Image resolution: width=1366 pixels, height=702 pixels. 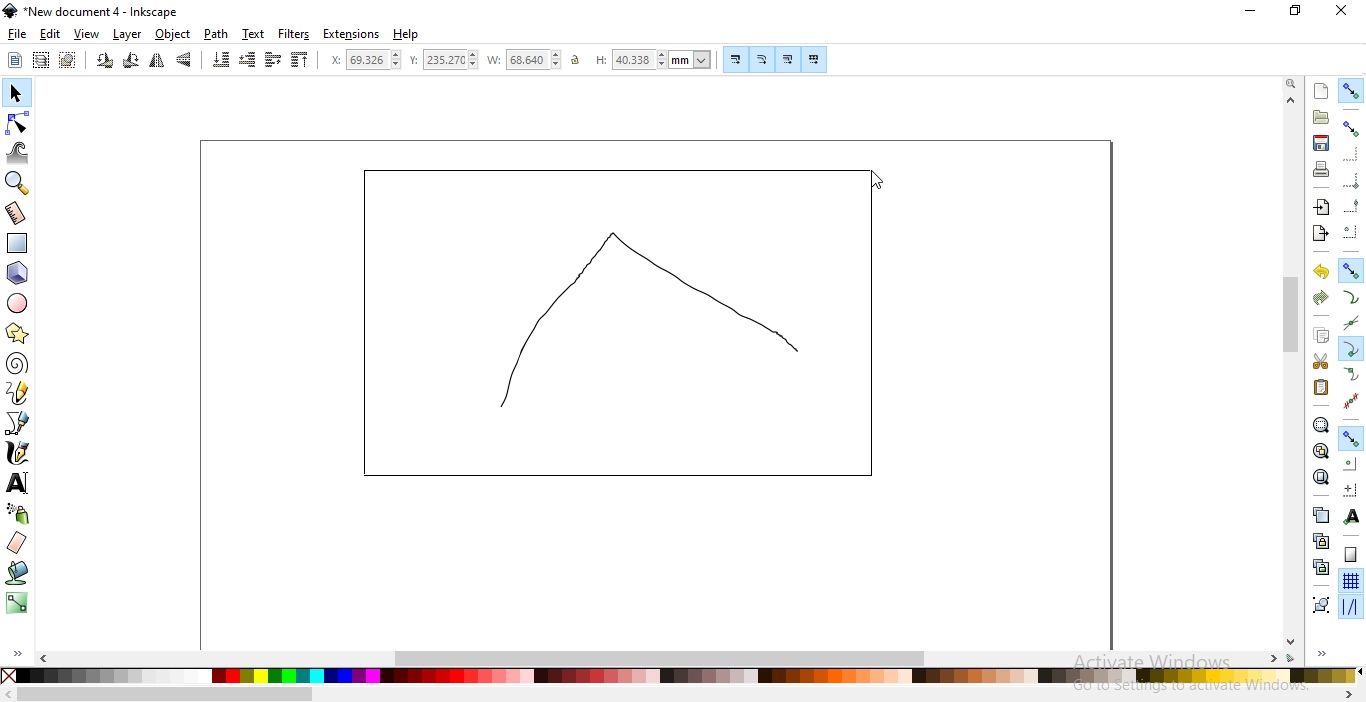 I want to click on create spirals, so click(x=16, y=364).